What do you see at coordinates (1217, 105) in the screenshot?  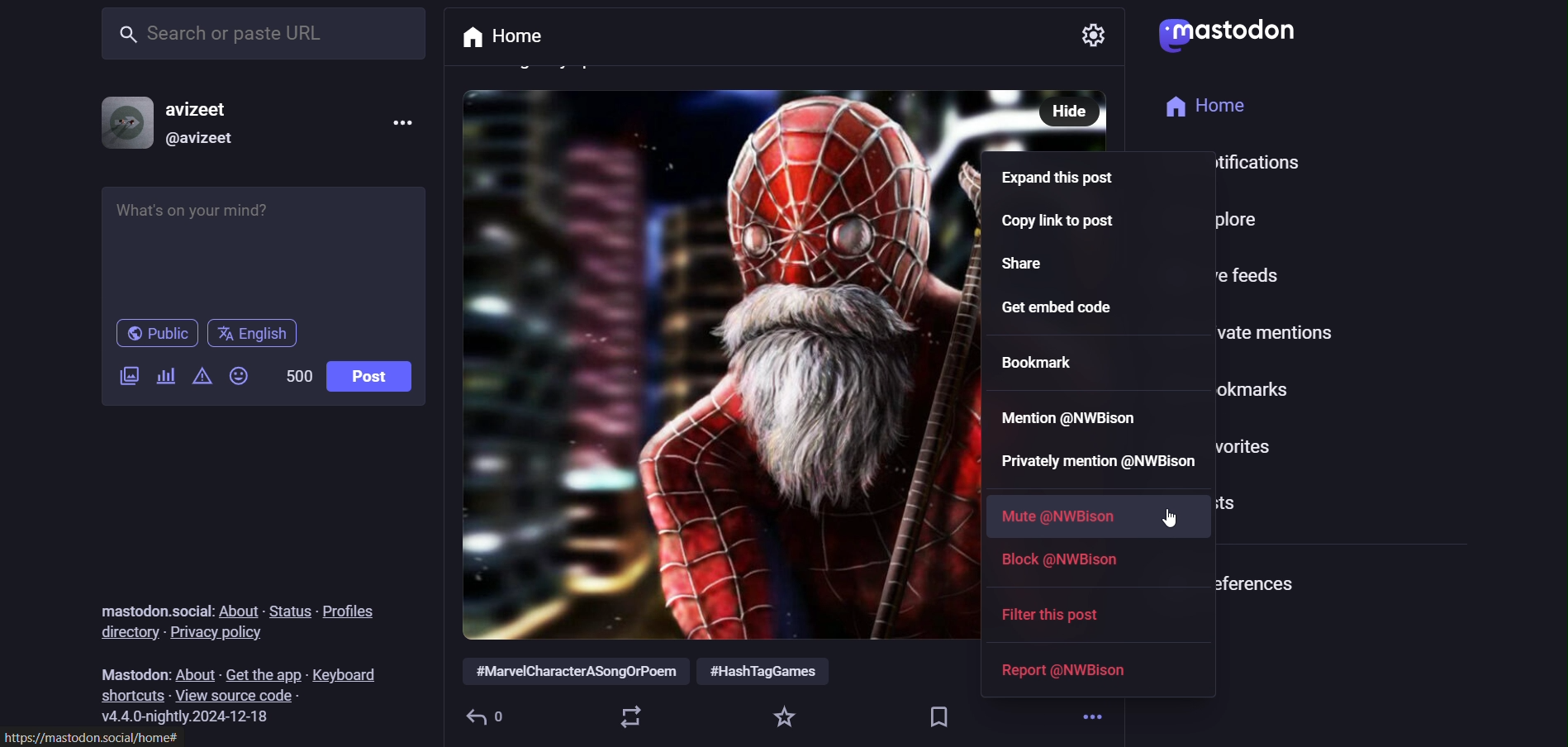 I see `home` at bounding box center [1217, 105].